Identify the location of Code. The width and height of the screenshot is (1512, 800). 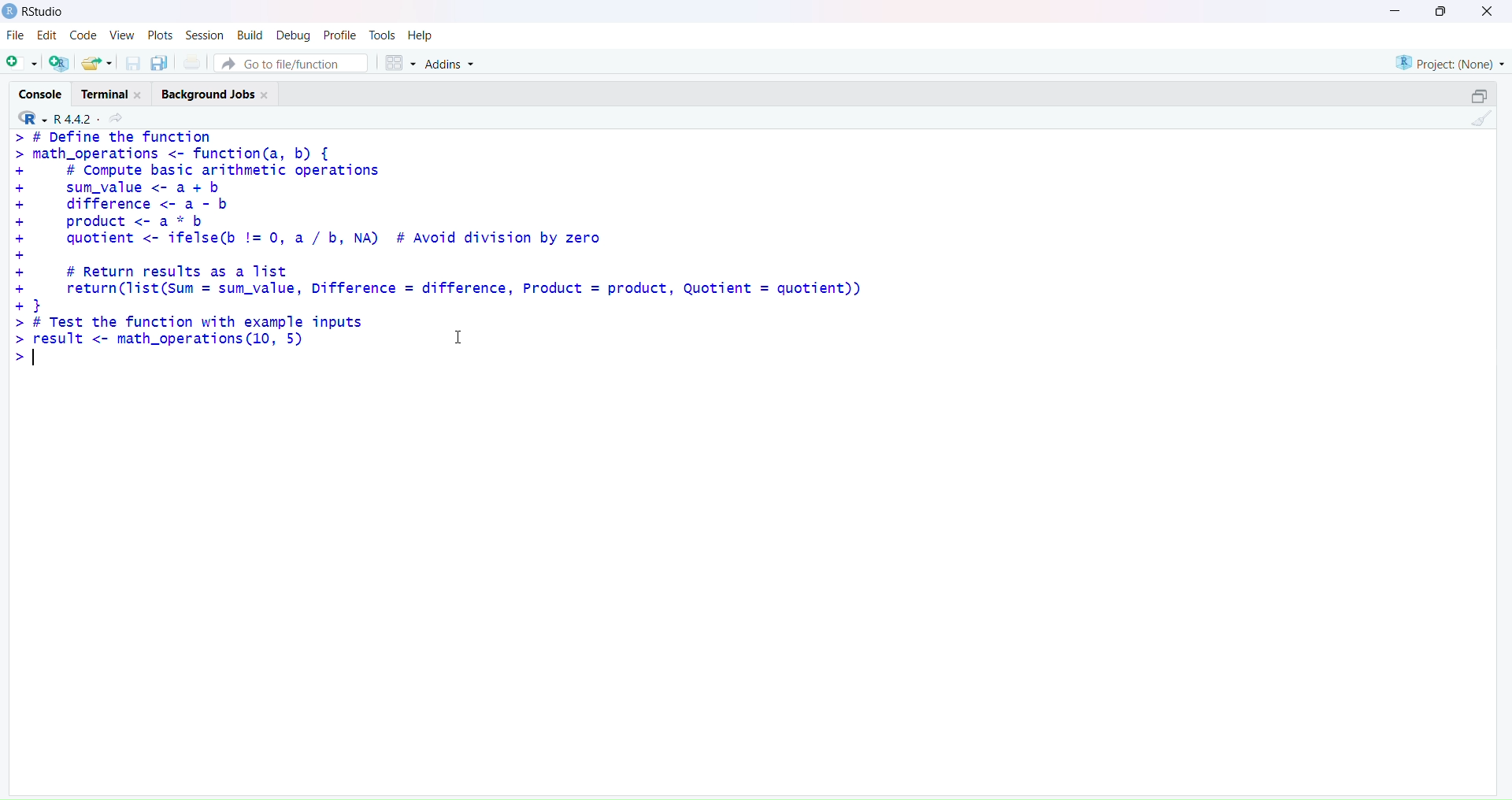
(81, 37).